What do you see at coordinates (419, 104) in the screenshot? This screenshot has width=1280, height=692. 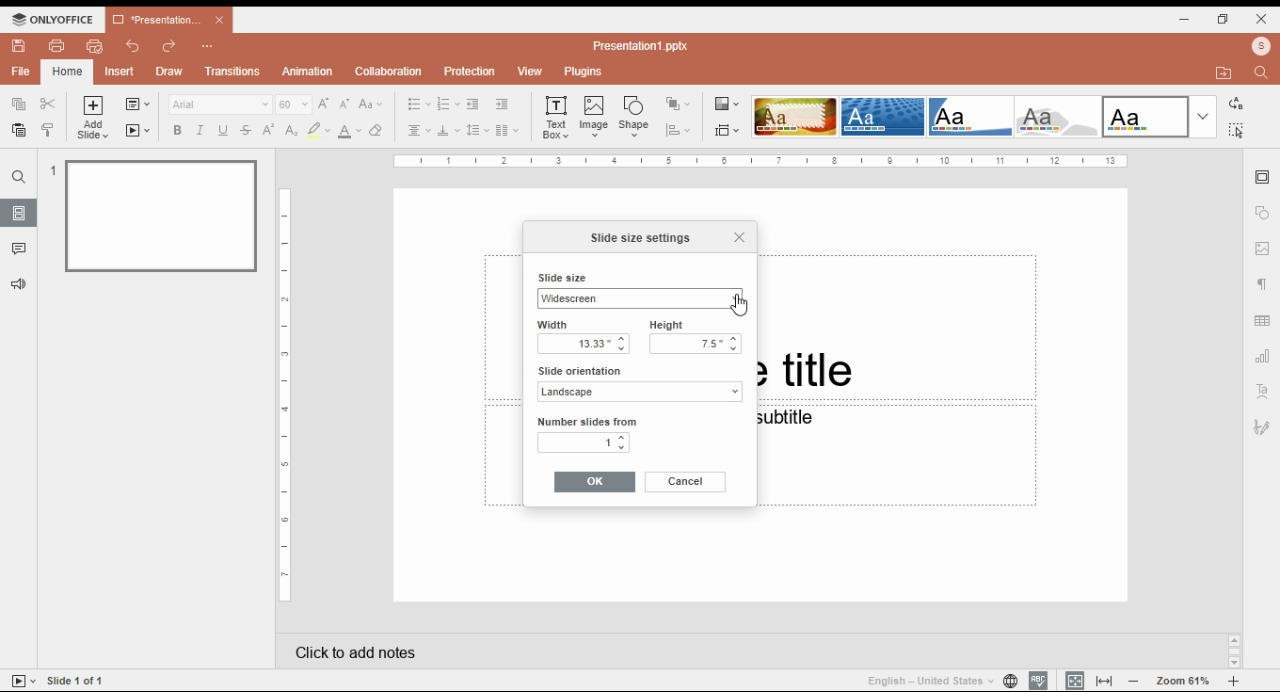 I see `bullets` at bounding box center [419, 104].